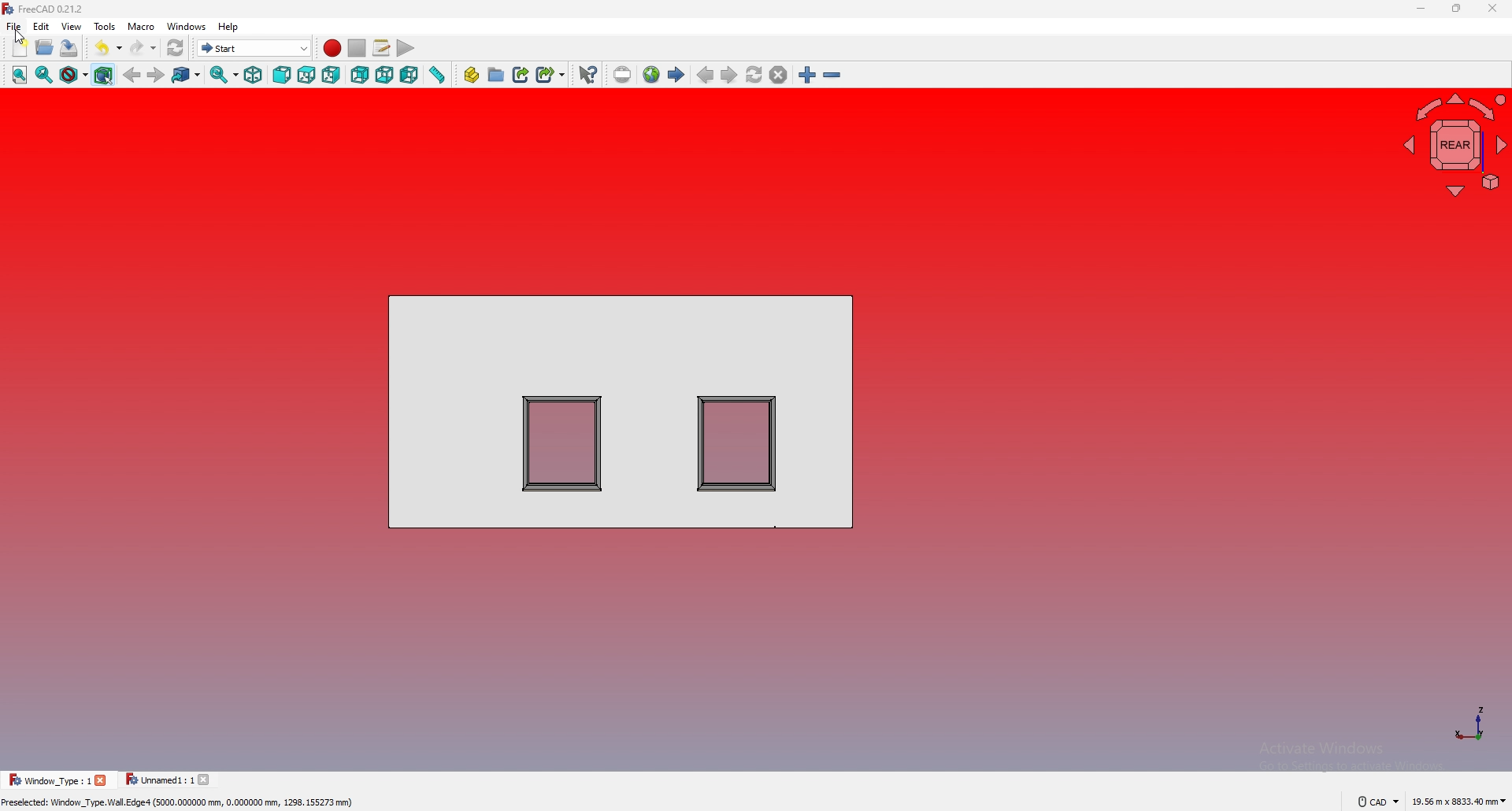 This screenshot has height=811, width=1512. I want to click on record macros, so click(332, 48).